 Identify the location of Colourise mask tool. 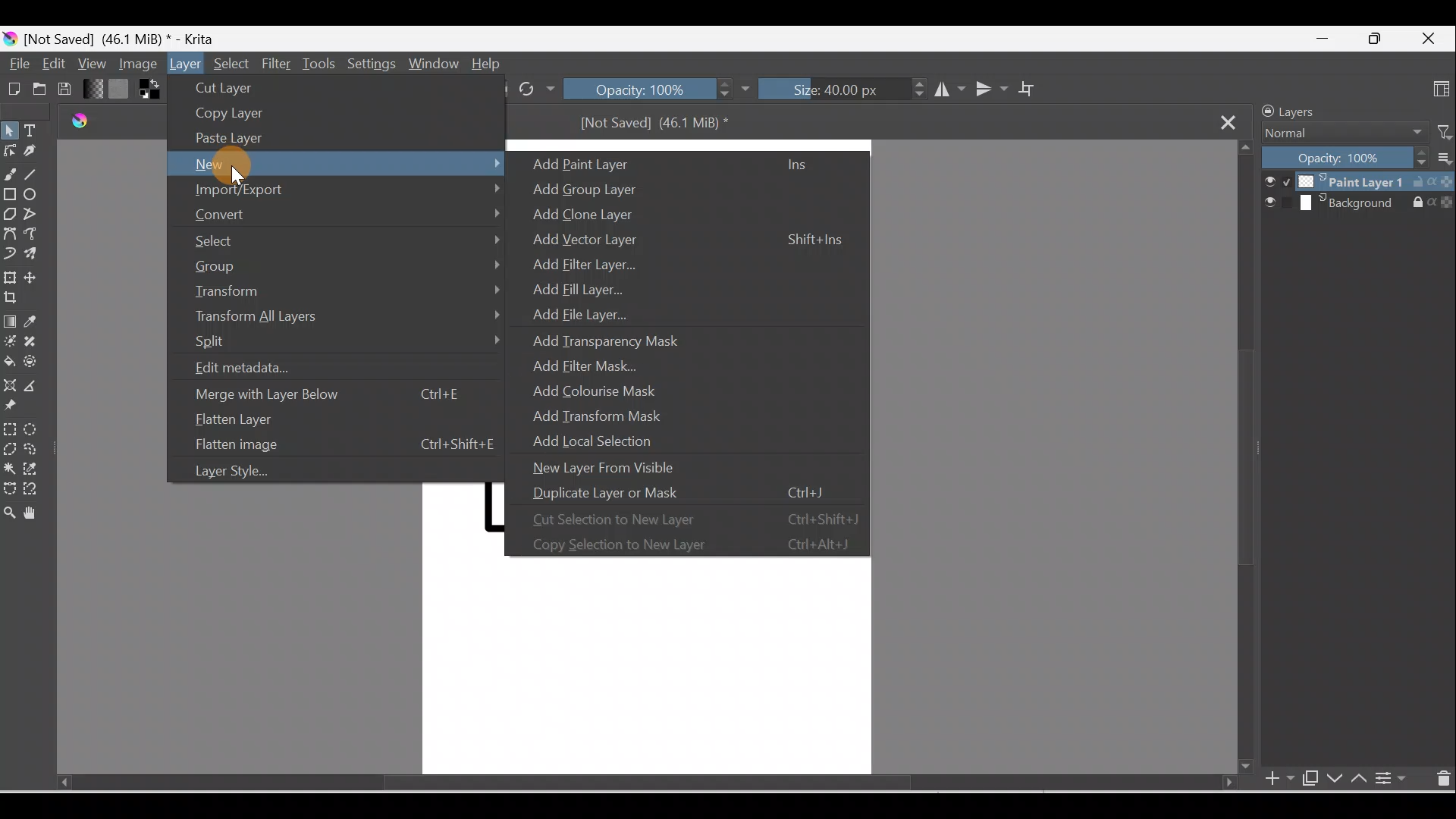
(11, 341).